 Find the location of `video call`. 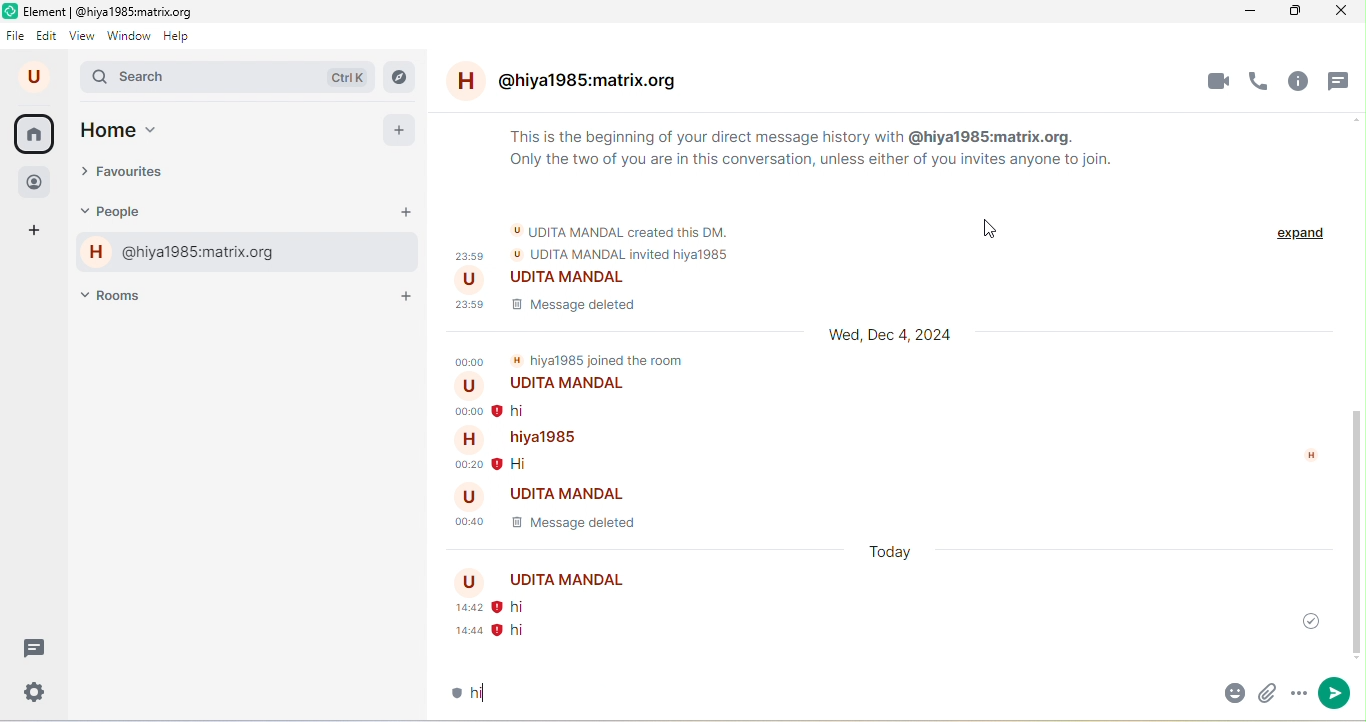

video call is located at coordinates (1217, 81).